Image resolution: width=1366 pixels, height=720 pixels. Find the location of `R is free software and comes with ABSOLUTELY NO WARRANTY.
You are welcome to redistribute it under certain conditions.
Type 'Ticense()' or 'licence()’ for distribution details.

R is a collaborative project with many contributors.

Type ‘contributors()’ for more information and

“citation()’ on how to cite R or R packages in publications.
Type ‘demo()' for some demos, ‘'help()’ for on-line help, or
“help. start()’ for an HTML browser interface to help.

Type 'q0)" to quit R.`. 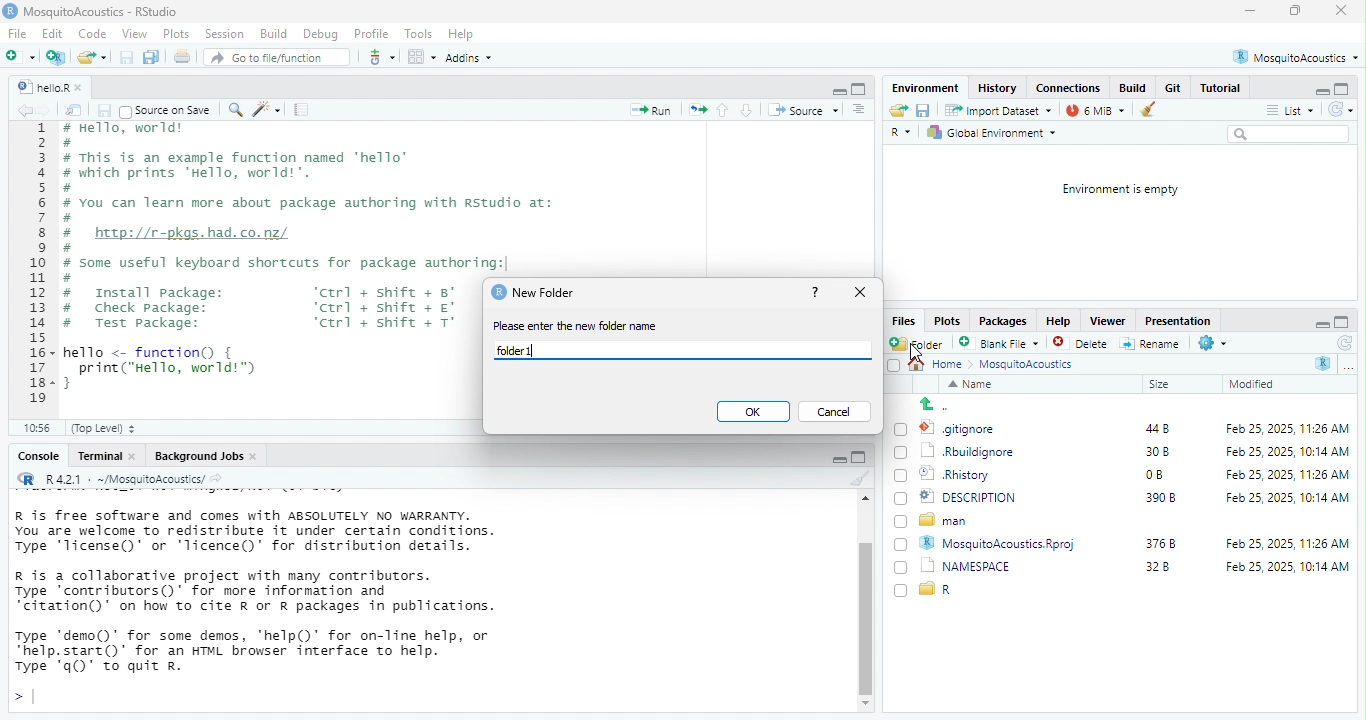

R is free software and comes with ABSOLUTELY NO WARRANTY.
You are welcome to redistribute it under certain conditions.
Type 'Ticense()' or 'licence()’ for distribution details.

R is a collaborative project with many contributors.

Type ‘contributors()’ for more information and

“citation()’ on how to cite R or R packages in publications.
Type ‘demo()' for some demos, ‘'help()’ for on-line help, or
“help. start()’ for an HTML browser interface to help.

Type 'q0)" to quit R. is located at coordinates (293, 585).